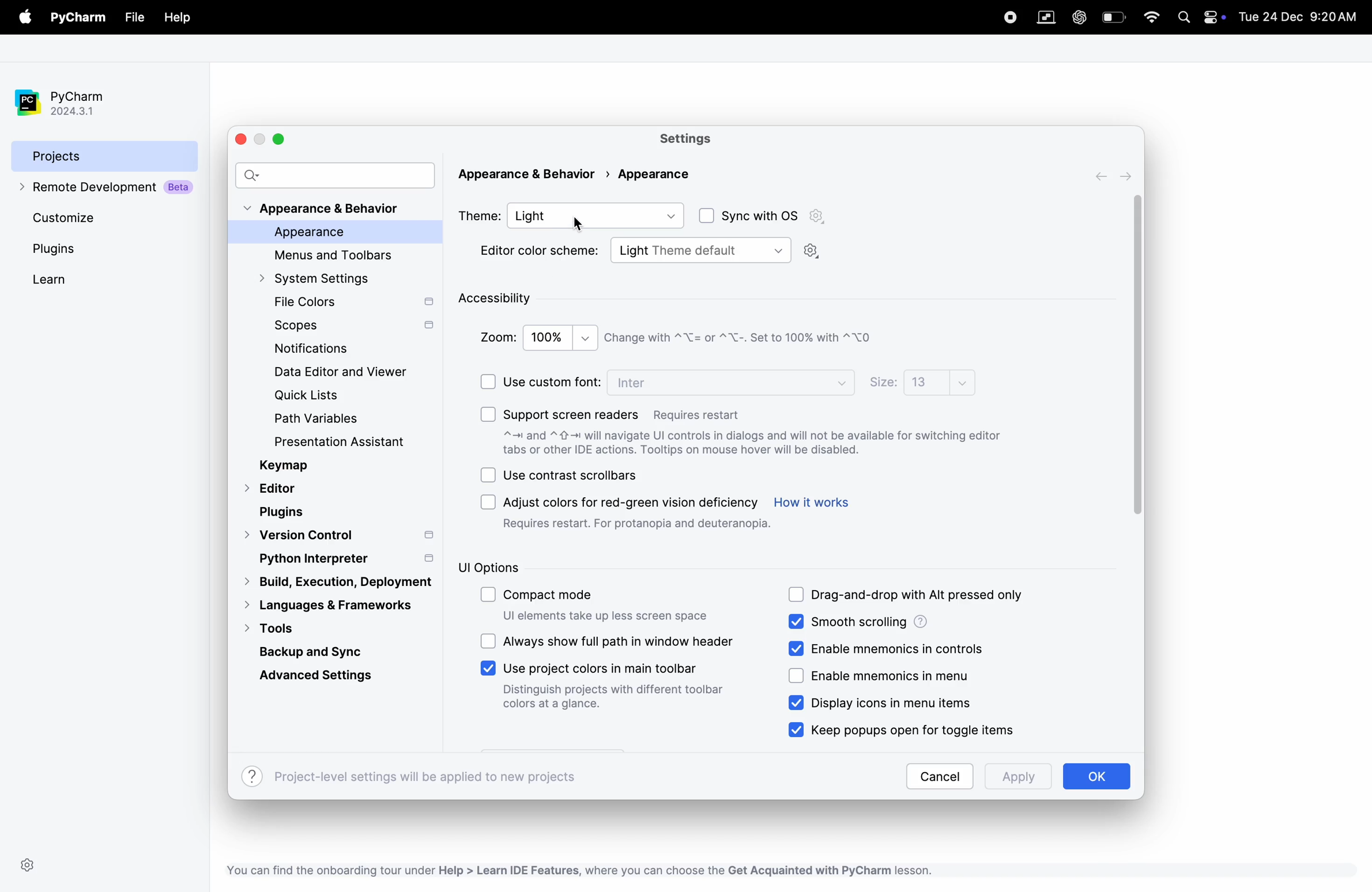 This screenshot has width=1372, height=892. What do you see at coordinates (243, 139) in the screenshot?
I see `close` at bounding box center [243, 139].